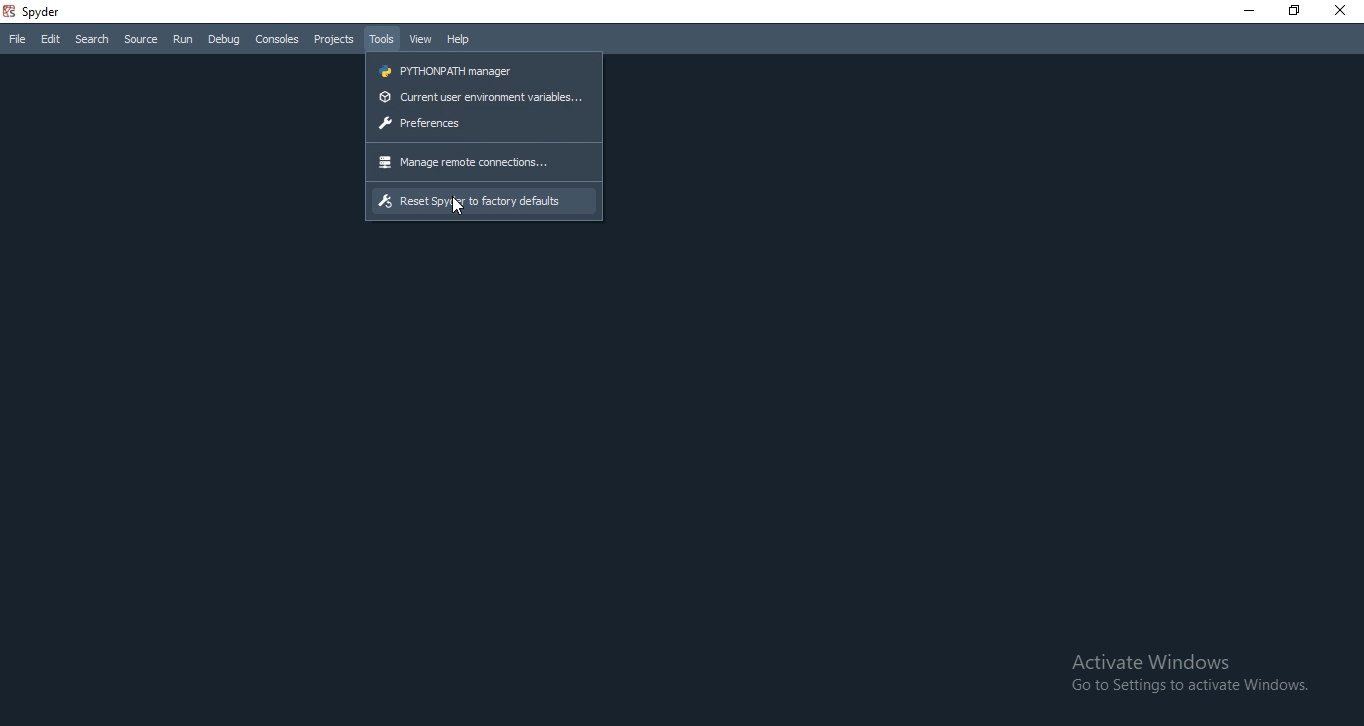 This screenshot has width=1364, height=726. Describe the element at coordinates (420, 41) in the screenshot. I see `View` at that location.